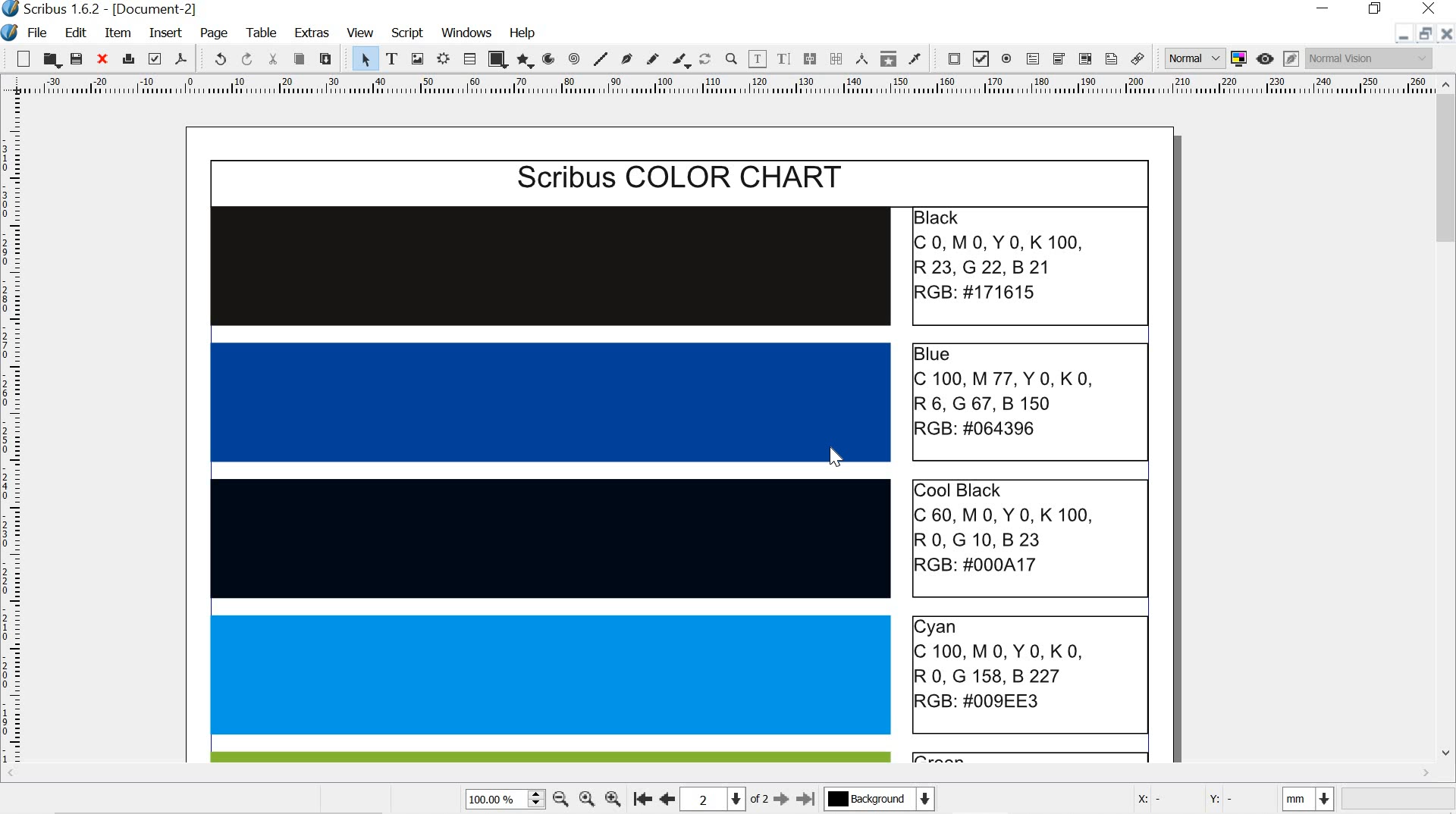 The width and height of the screenshot is (1456, 814). I want to click on Scribus 1.6.2-[Document-1], so click(123, 9).